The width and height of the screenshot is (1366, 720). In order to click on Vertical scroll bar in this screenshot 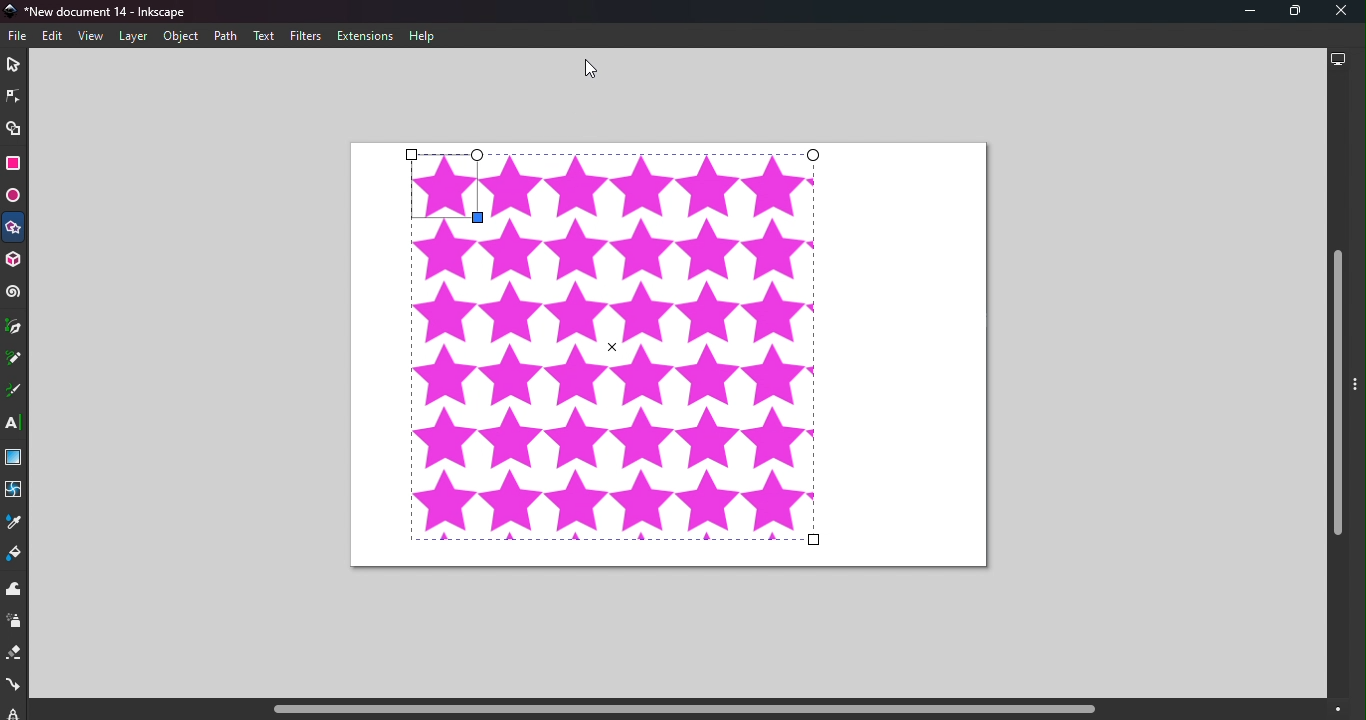, I will do `click(1338, 388)`.